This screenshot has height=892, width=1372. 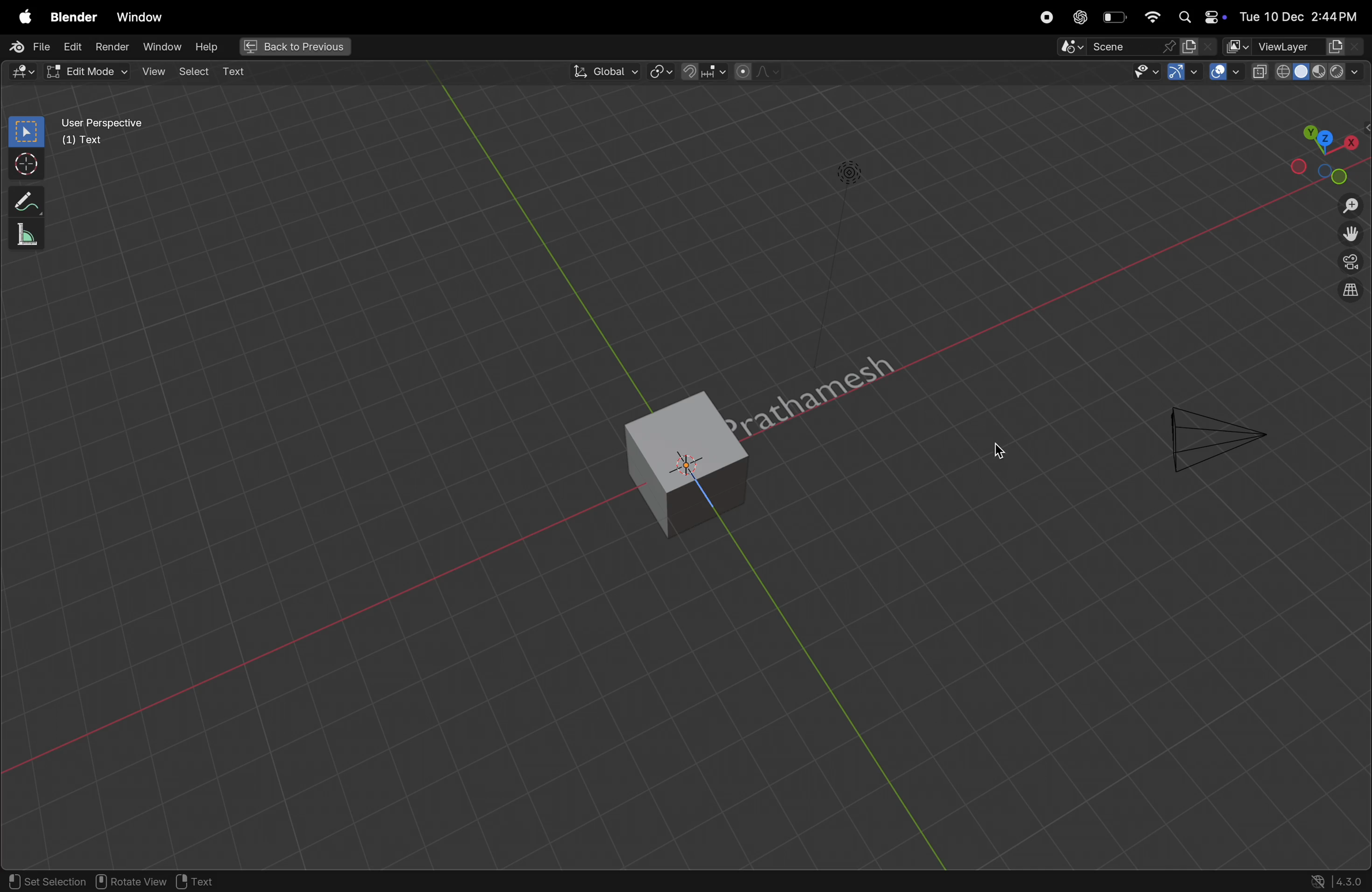 I want to click on camera, so click(x=1213, y=434).